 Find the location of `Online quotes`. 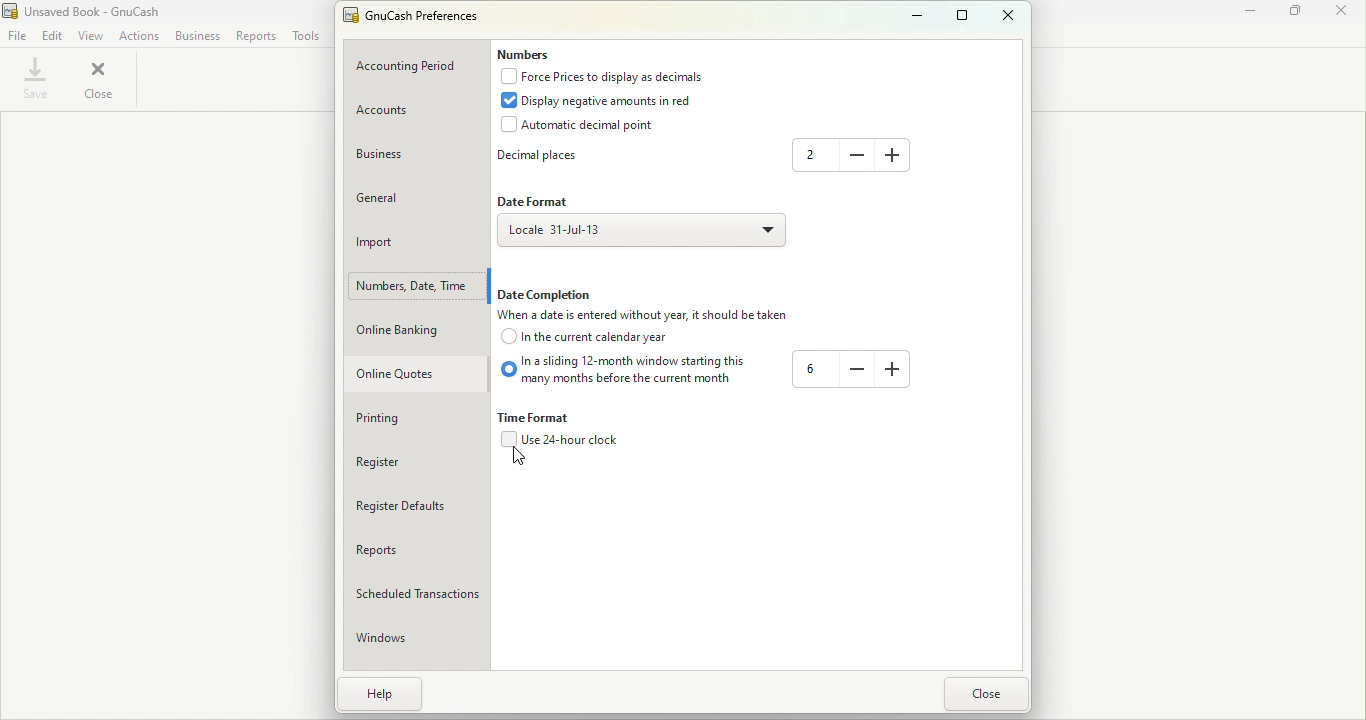

Online quotes is located at coordinates (401, 378).